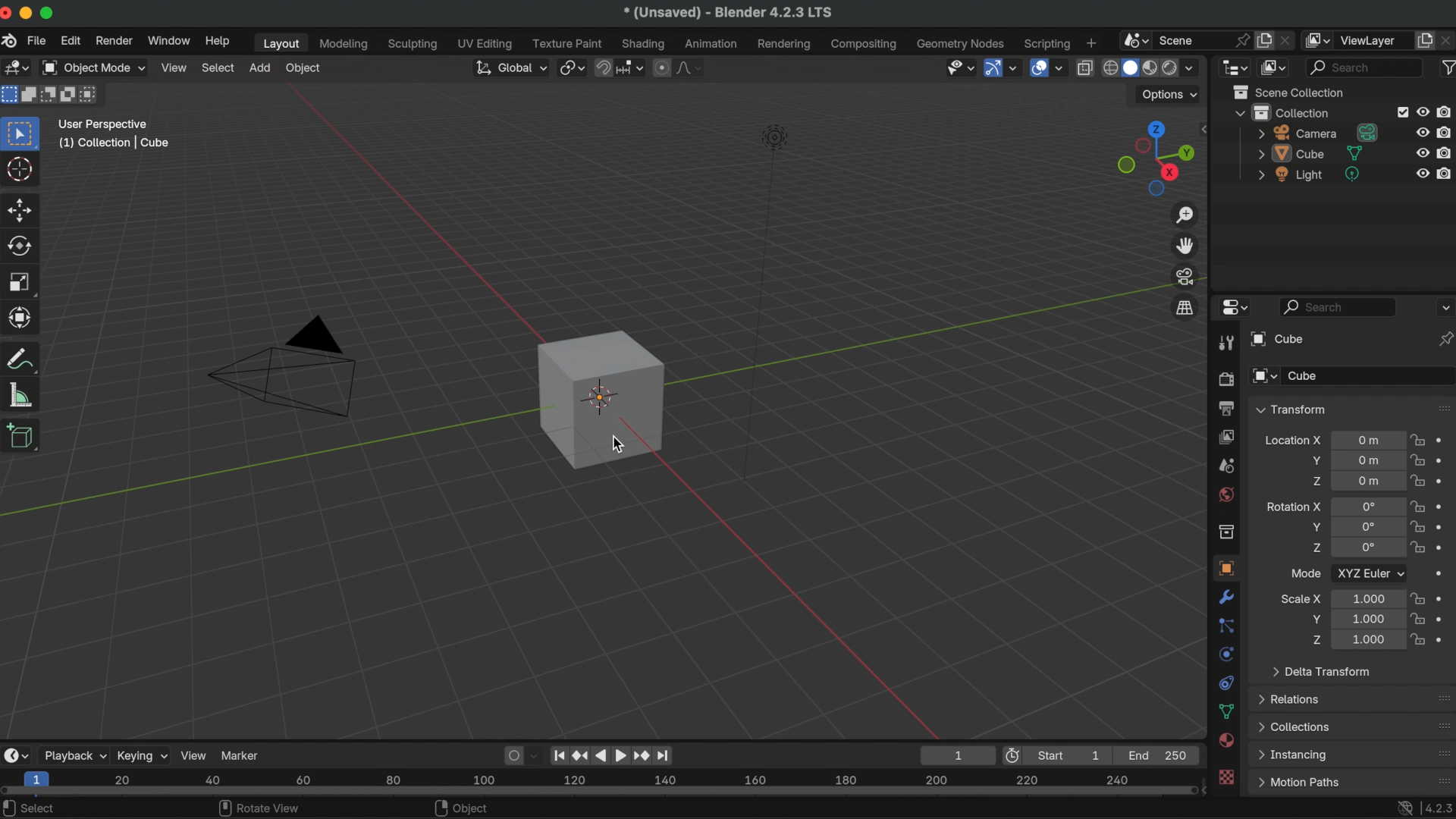 Image resolution: width=1456 pixels, height=819 pixels. What do you see at coordinates (1228, 597) in the screenshot?
I see `modifiers` at bounding box center [1228, 597].